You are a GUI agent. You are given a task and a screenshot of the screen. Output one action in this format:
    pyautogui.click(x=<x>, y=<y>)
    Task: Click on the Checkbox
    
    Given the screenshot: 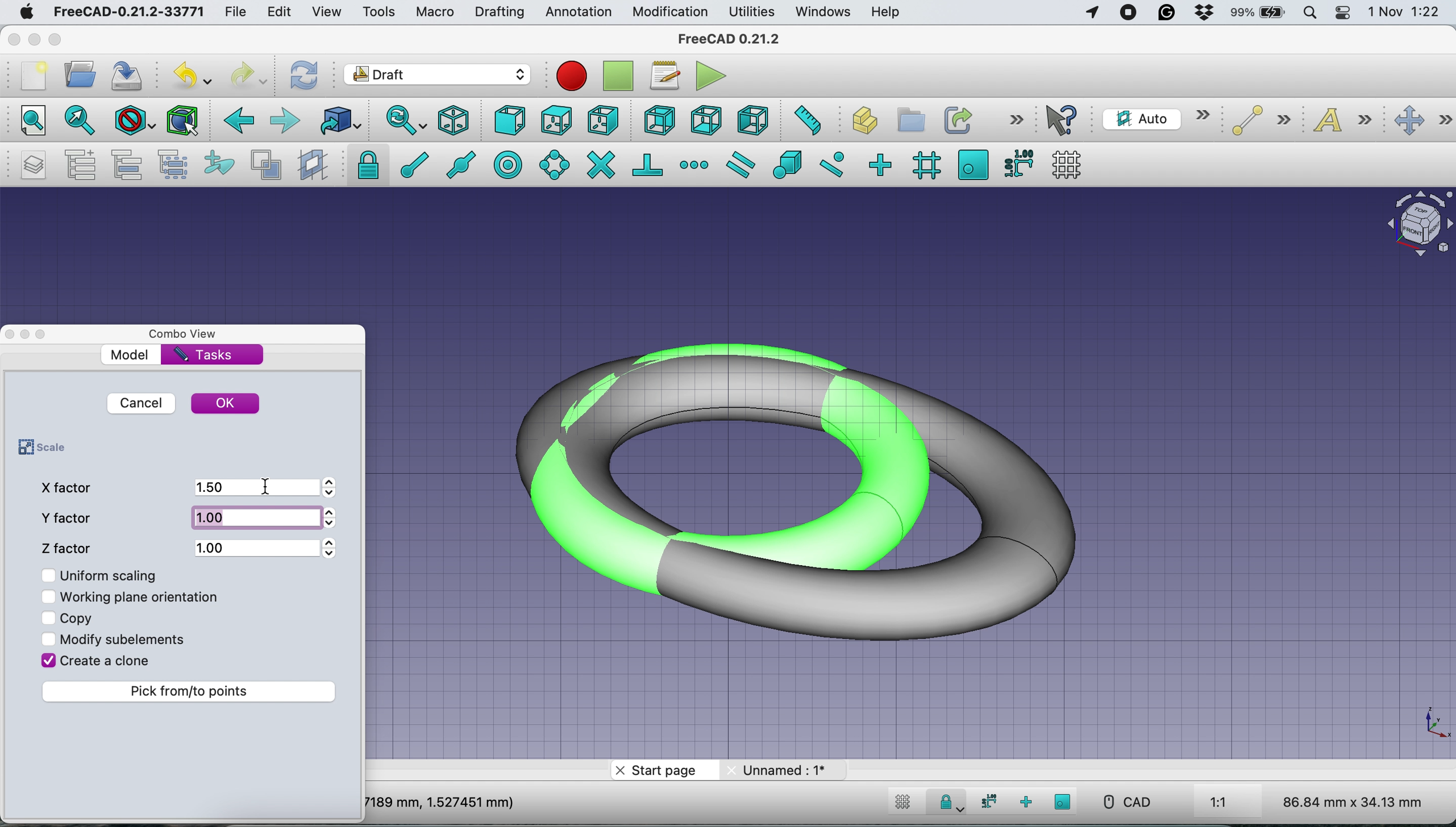 What is the action you would take?
    pyautogui.click(x=49, y=617)
    